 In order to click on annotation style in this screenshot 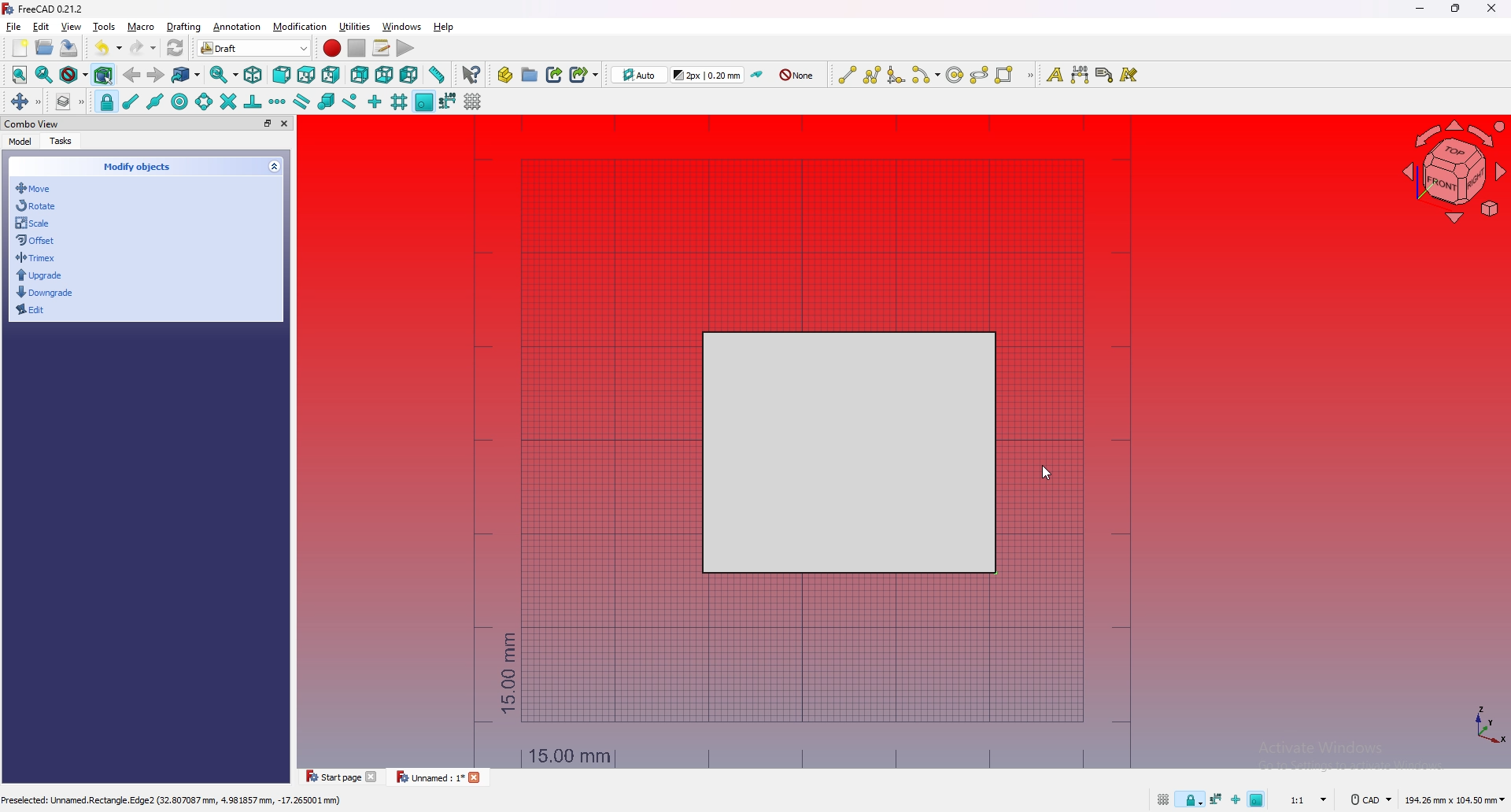, I will do `click(1130, 75)`.